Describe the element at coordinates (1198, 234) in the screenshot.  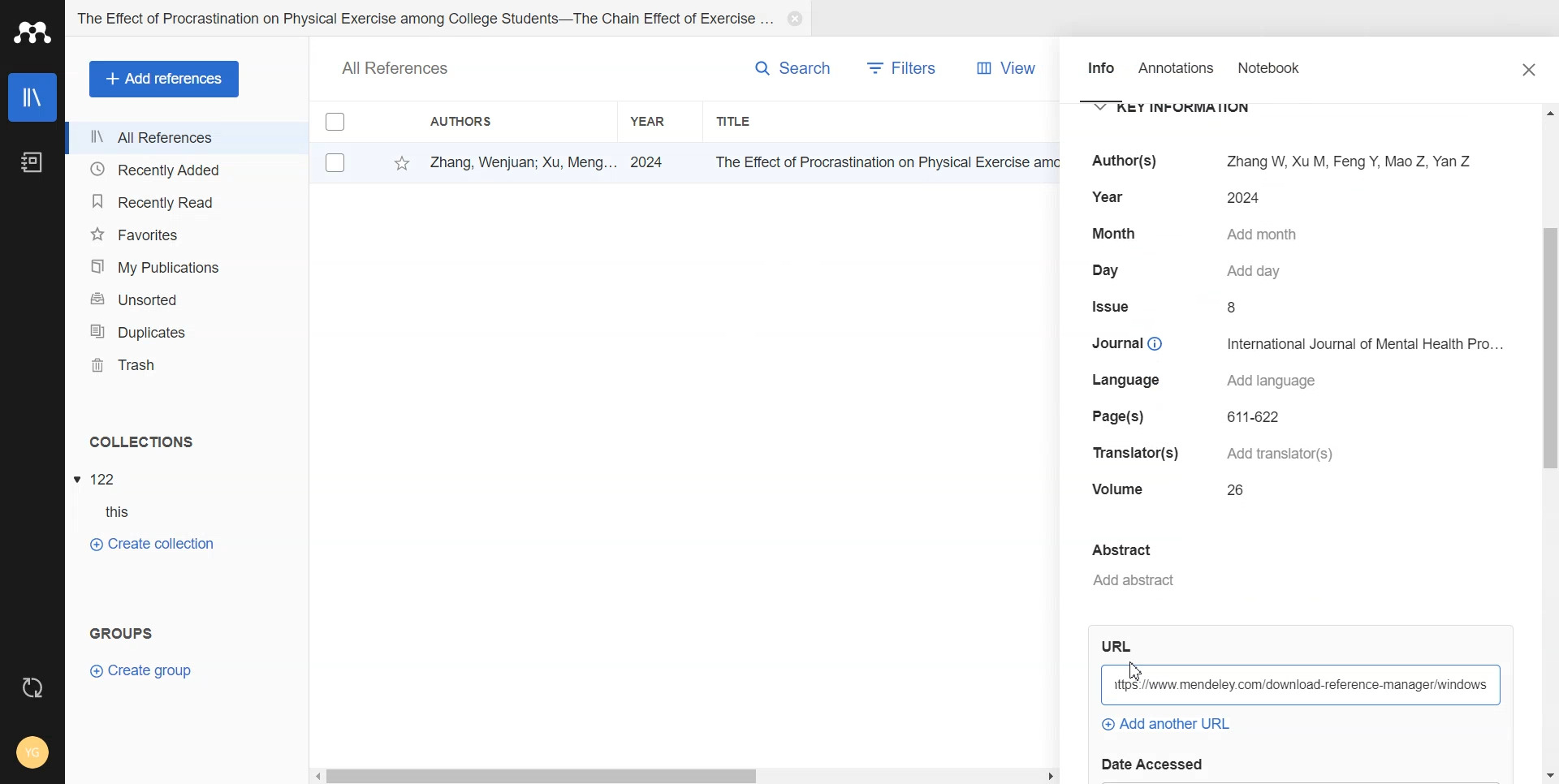
I see `Month Add month` at that location.